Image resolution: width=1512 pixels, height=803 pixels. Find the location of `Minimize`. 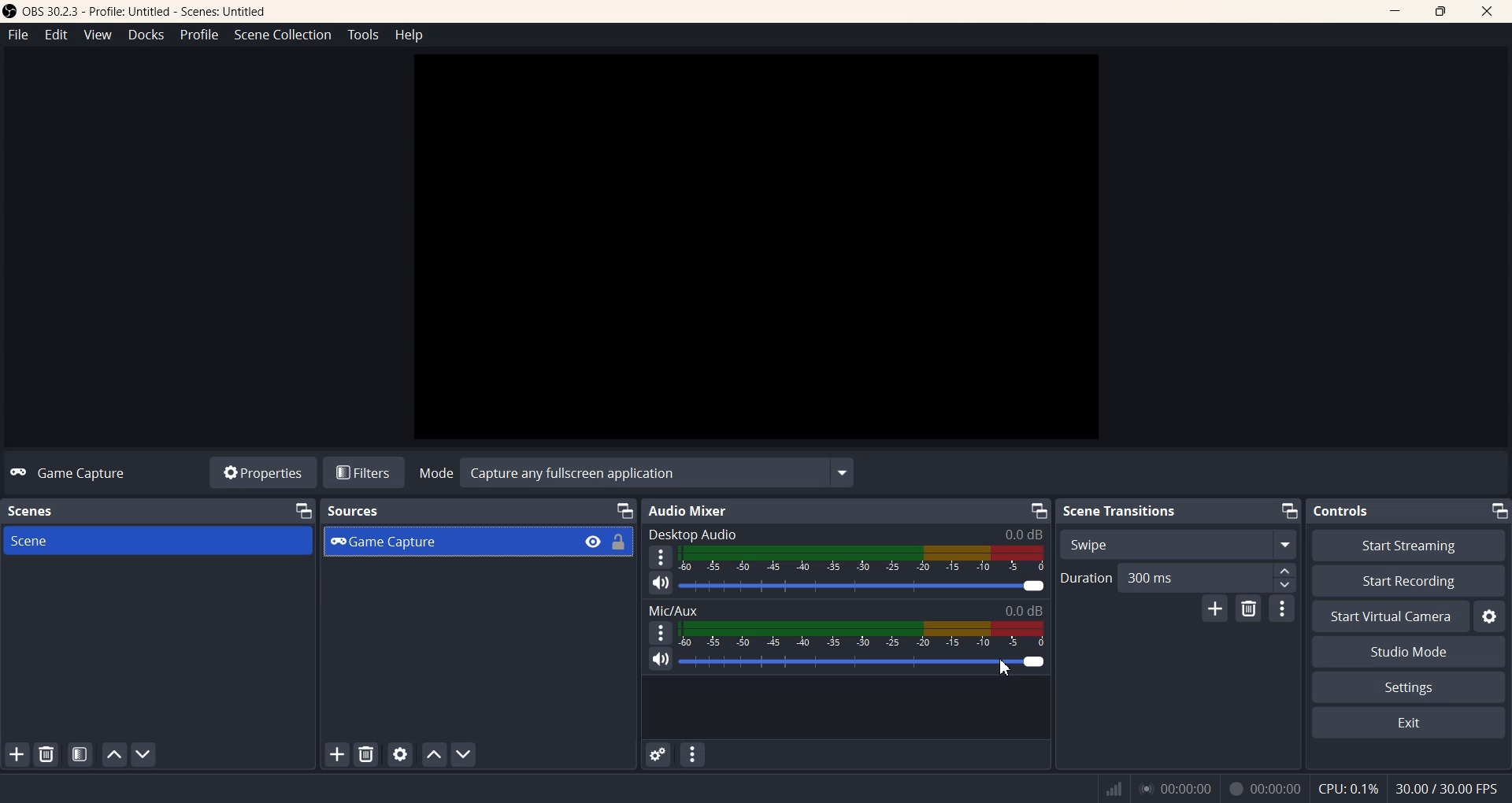

Minimize is located at coordinates (303, 511).